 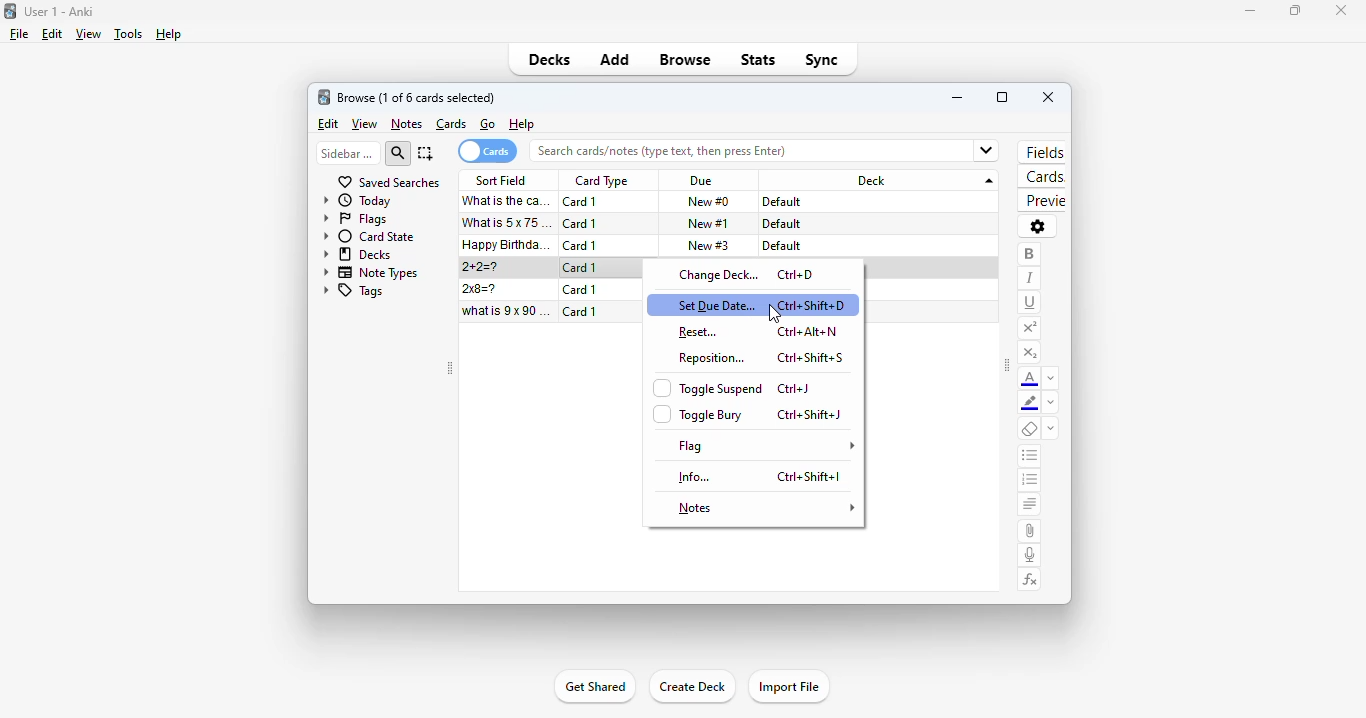 I want to click on info, so click(x=696, y=477).